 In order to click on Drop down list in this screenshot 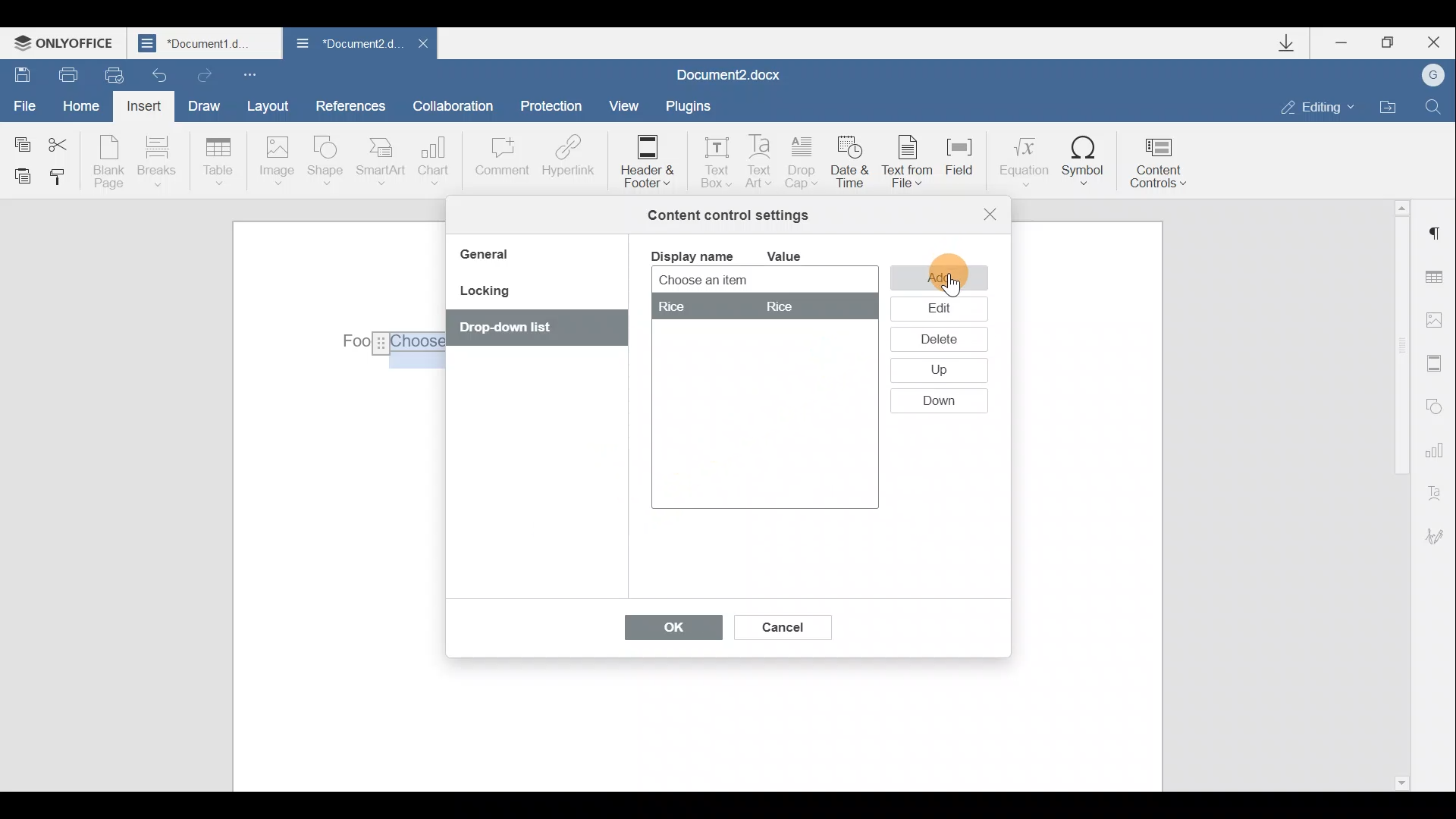, I will do `click(529, 329)`.